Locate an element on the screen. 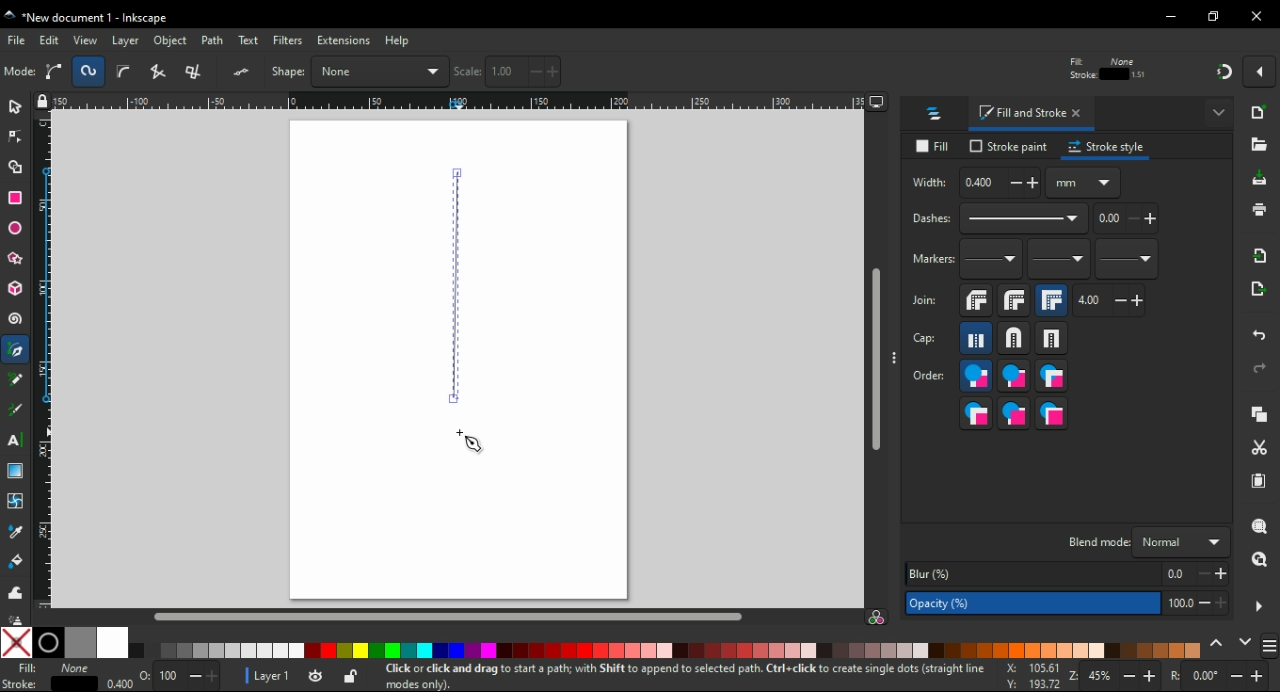  ellipse/arc tool is located at coordinates (18, 229).